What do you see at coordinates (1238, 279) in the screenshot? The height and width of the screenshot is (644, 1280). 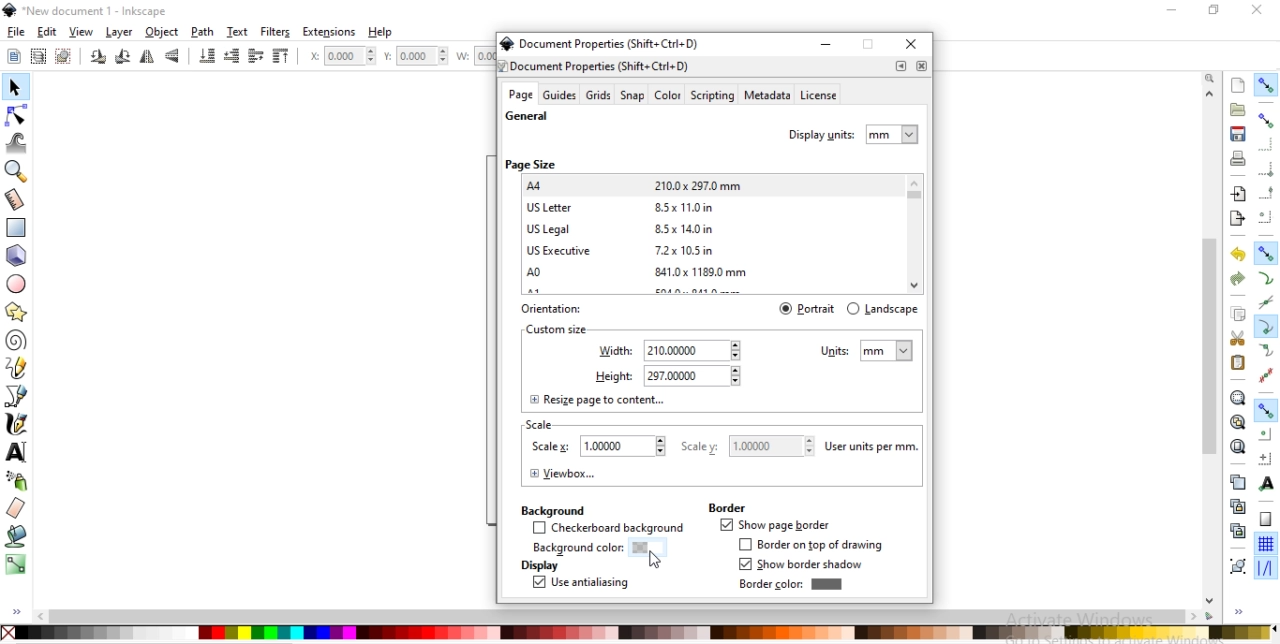 I see `redo` at bounding box center [1238, 279].